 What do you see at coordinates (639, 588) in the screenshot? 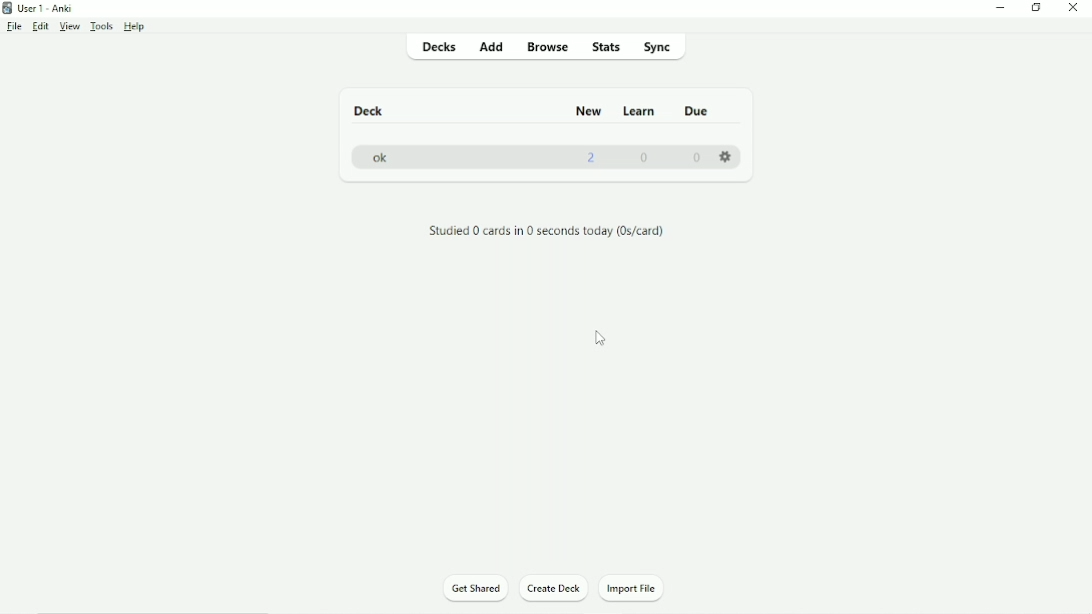
I see `Import File` at bounding box center [639, 588].